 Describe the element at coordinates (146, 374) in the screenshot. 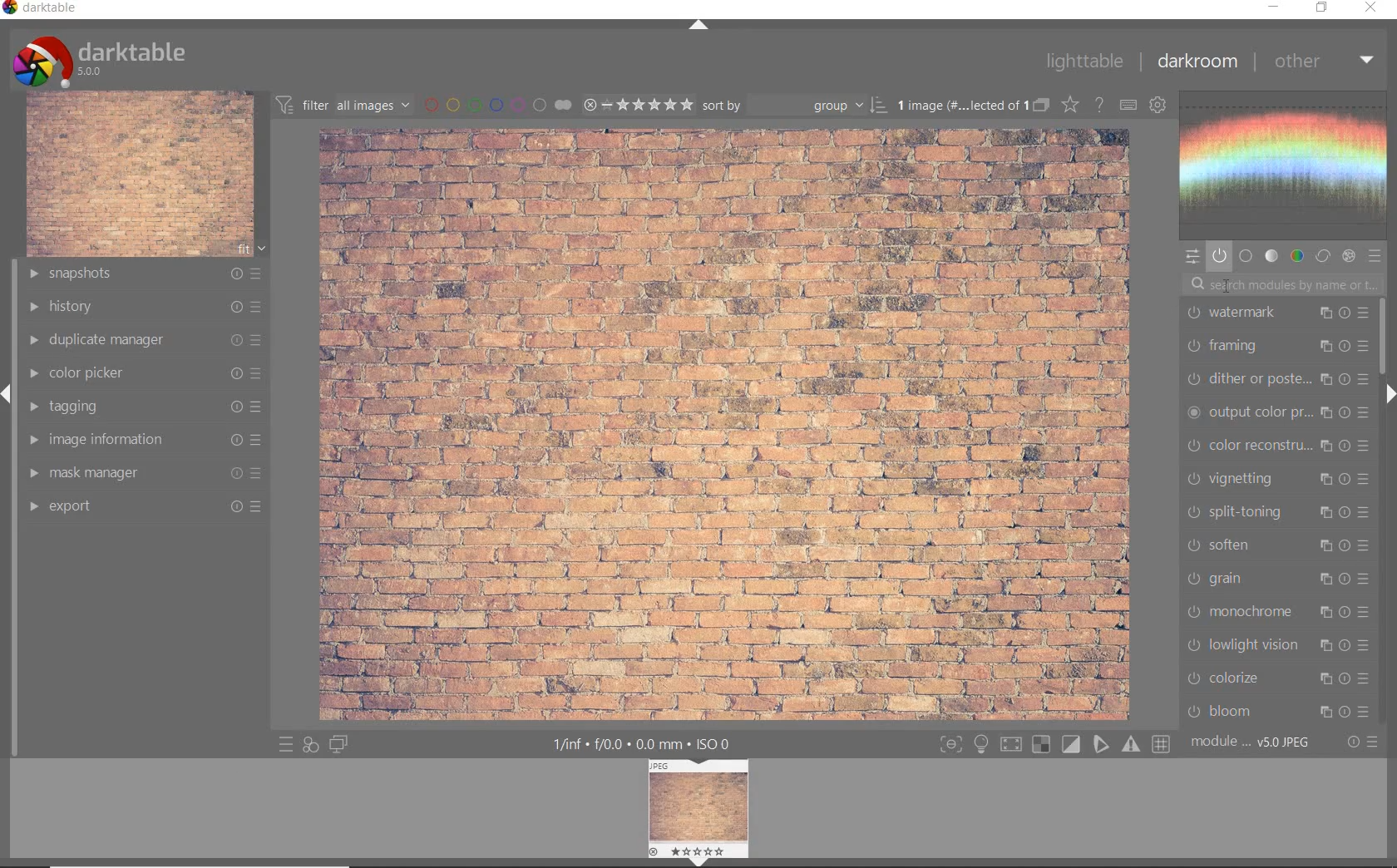

I see `color picker` at that location.